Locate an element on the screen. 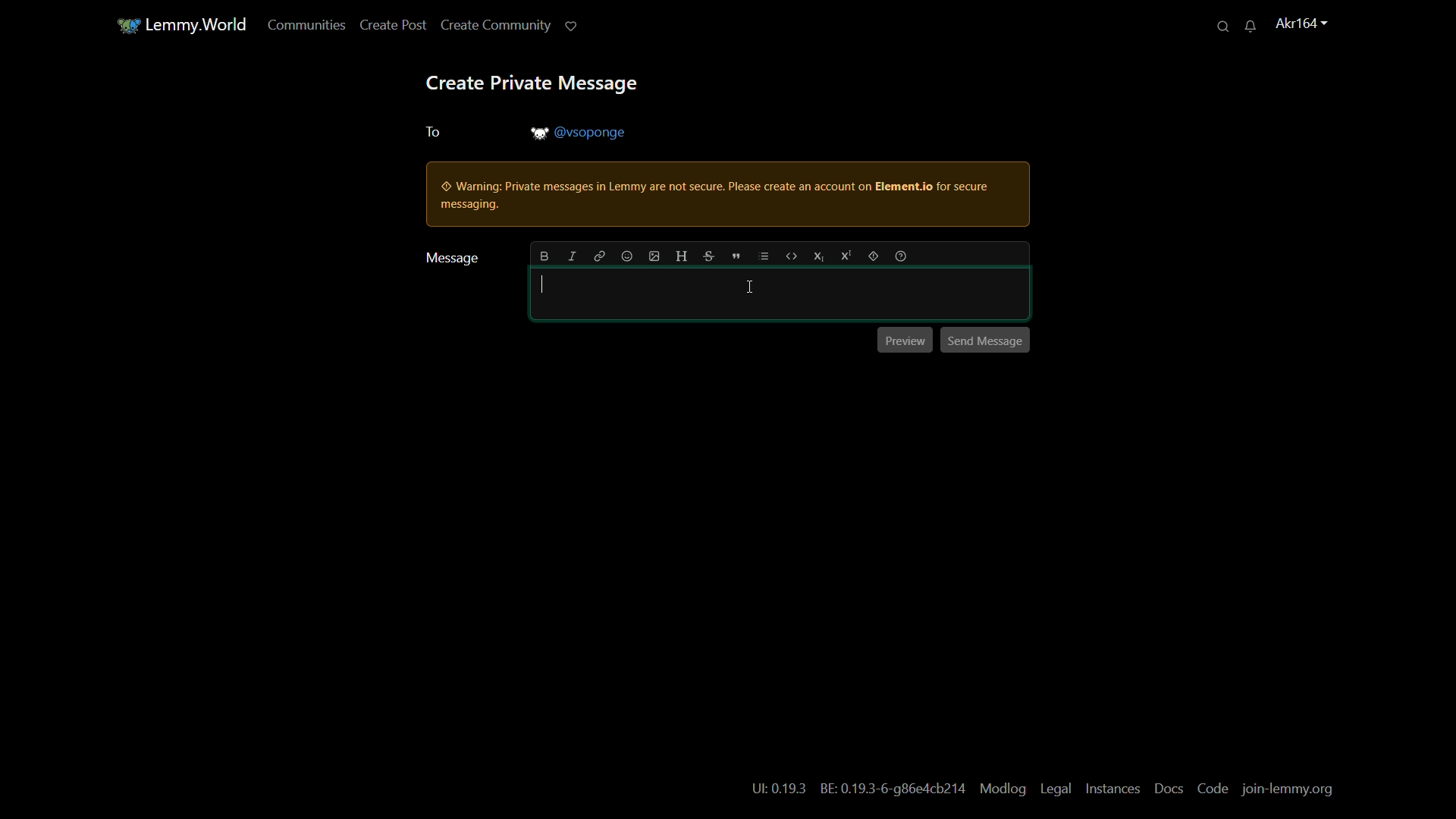  cursor is located at coordinates (750, 289).